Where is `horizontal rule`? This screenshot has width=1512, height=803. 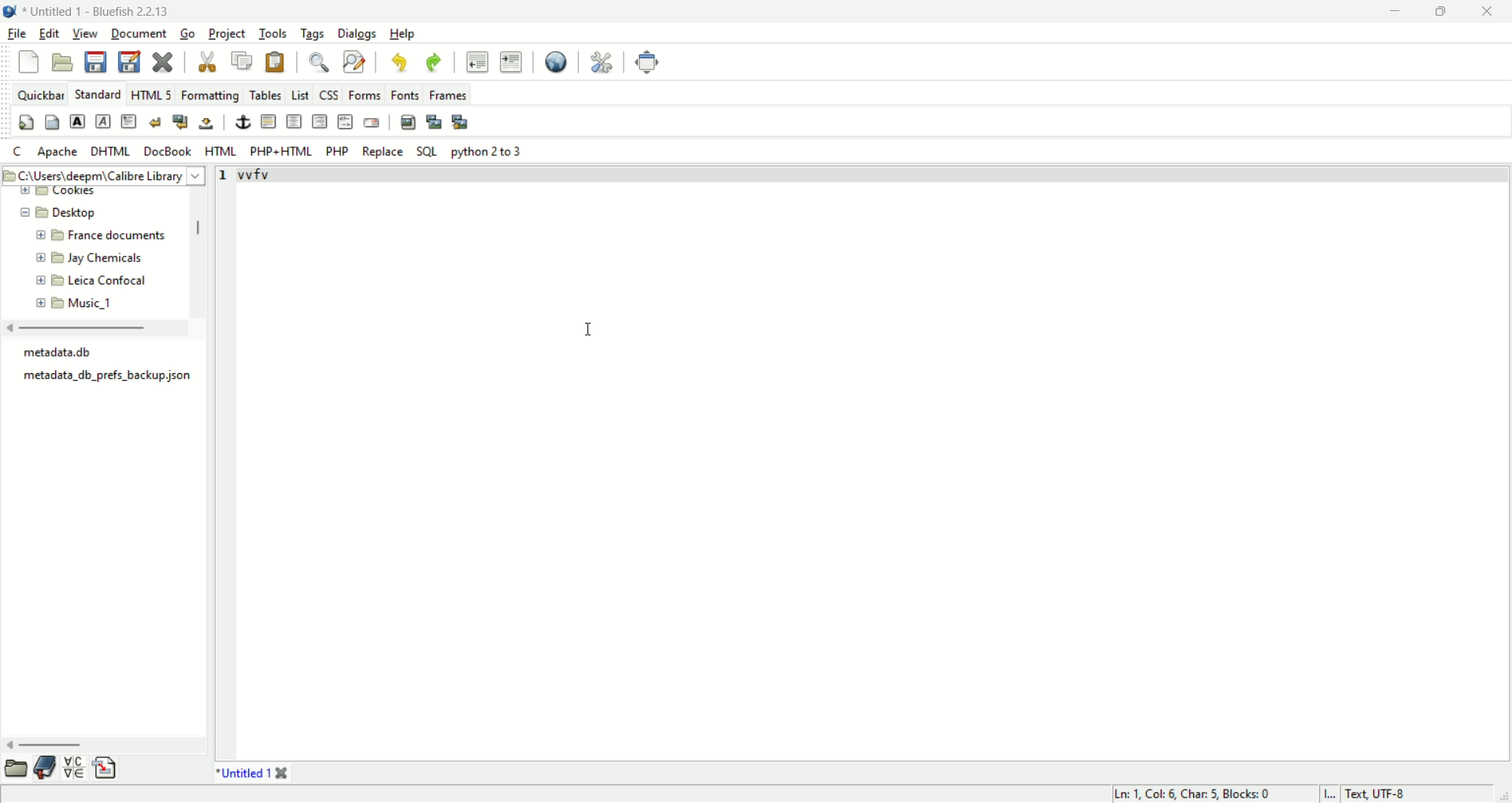
horizontal rule is located at coordinates (270, 122).